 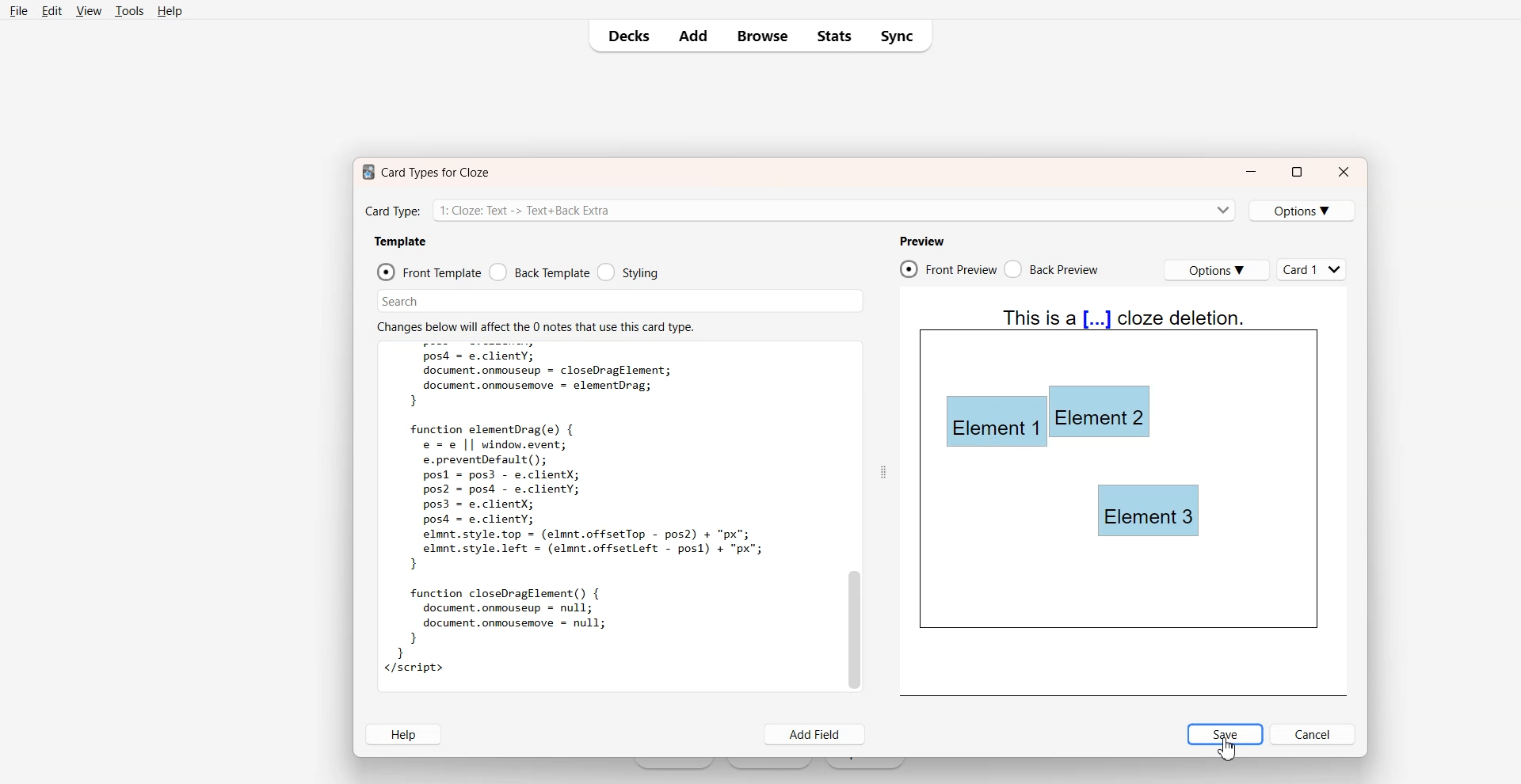 What do you see at coordinates (994, 424) in the screenshot?
I see `Element 1` at bounding box center [994, 424].